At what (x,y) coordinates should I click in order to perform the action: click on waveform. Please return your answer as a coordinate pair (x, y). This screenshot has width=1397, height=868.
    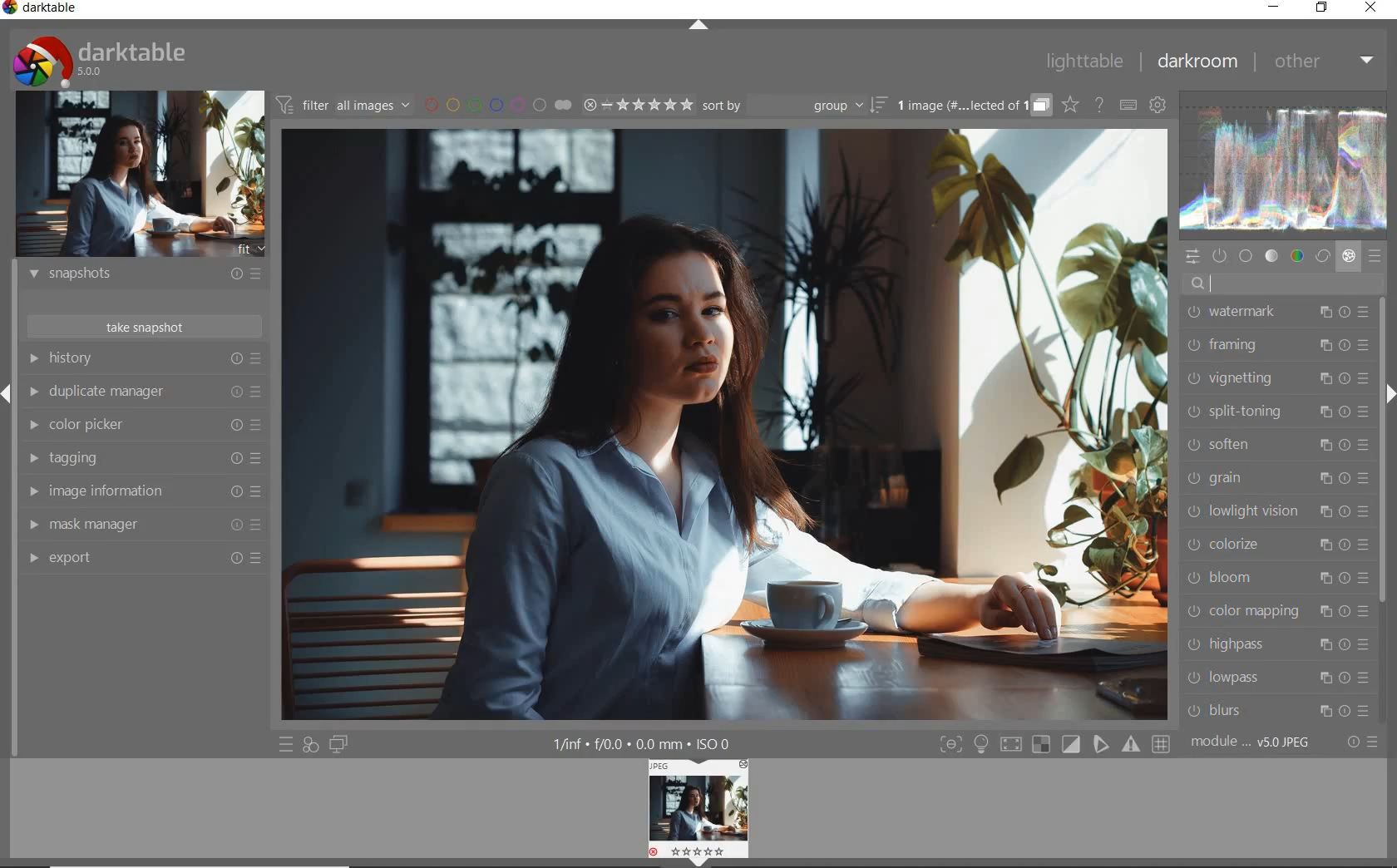
    Looking at the image, I should click on (1283, 166).